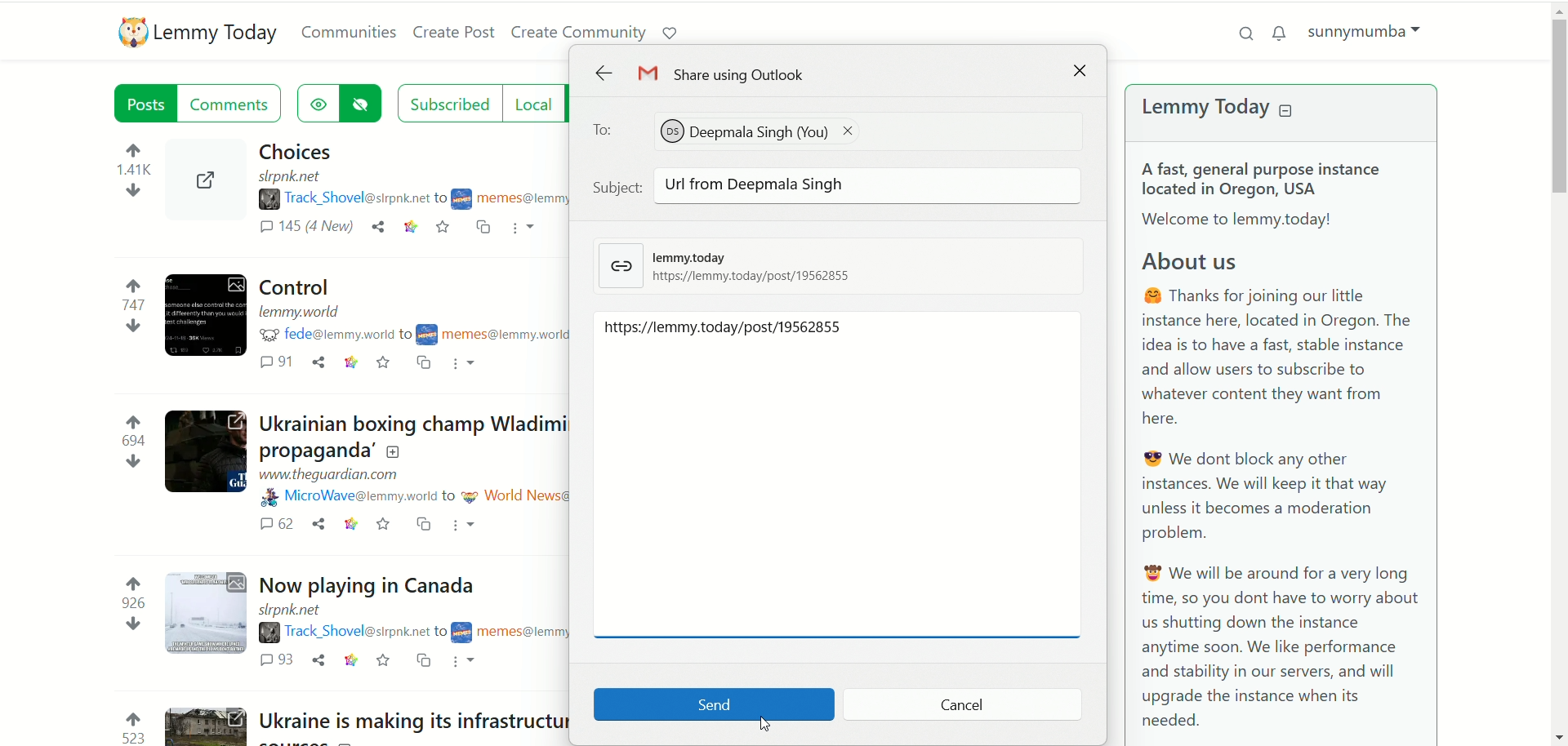 The image size is (1568, 746). What do you see at coordinates (352, 524) in the screenshot?
I see `link` at bounding box center [352, 524].